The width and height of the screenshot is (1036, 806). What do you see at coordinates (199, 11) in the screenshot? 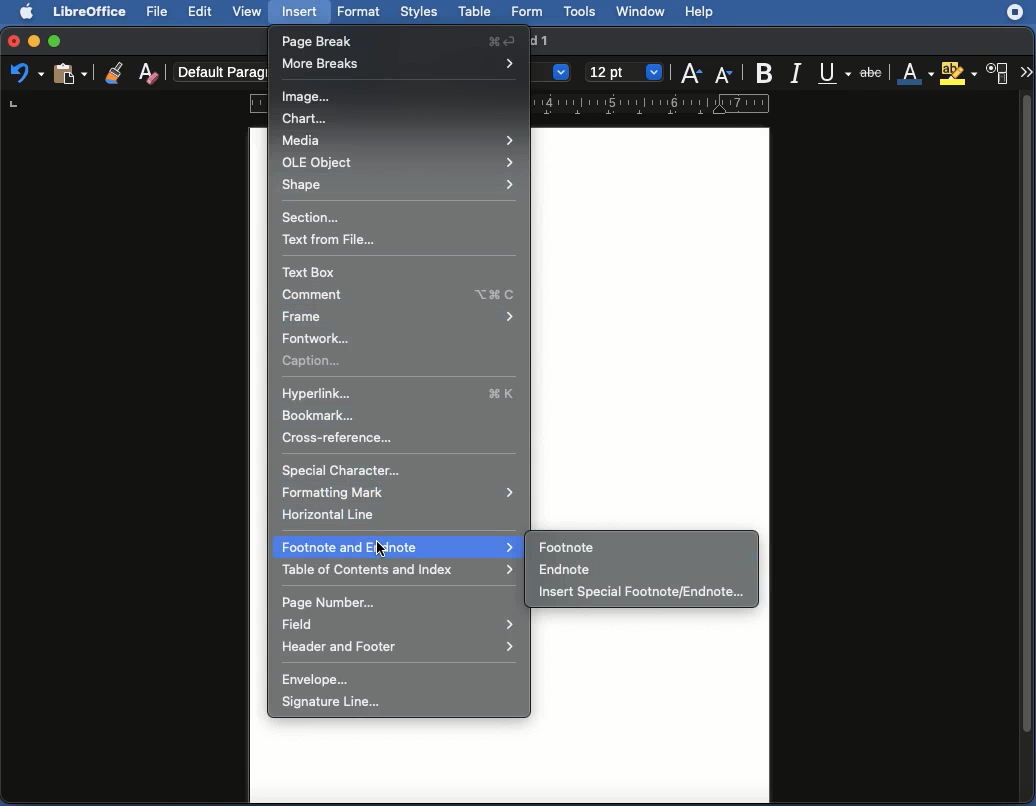
I see `Edit` at bounding box center [199, 11].